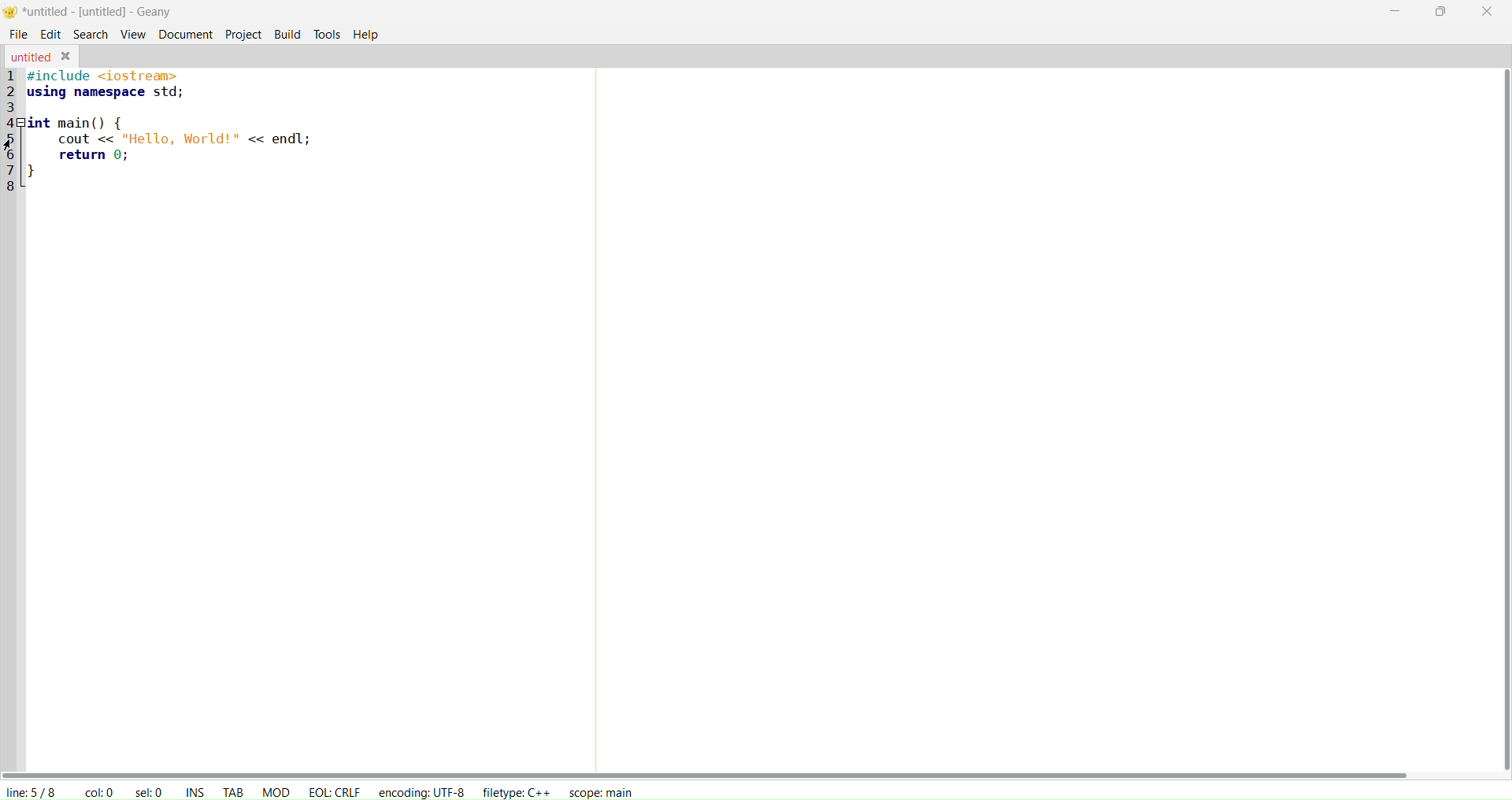  I want to click on help, so click(368, 35).